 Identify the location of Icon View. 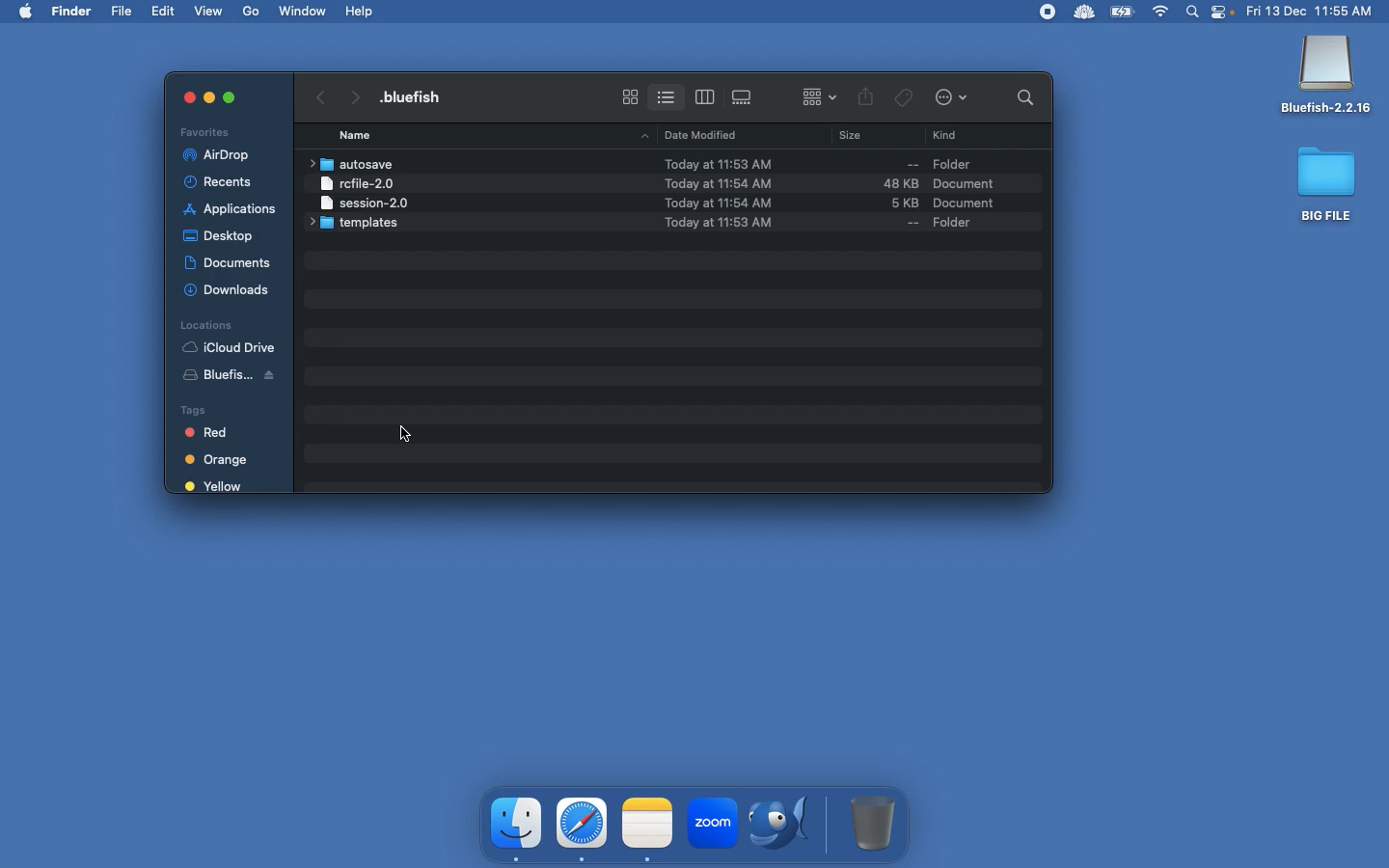
(630, 96).